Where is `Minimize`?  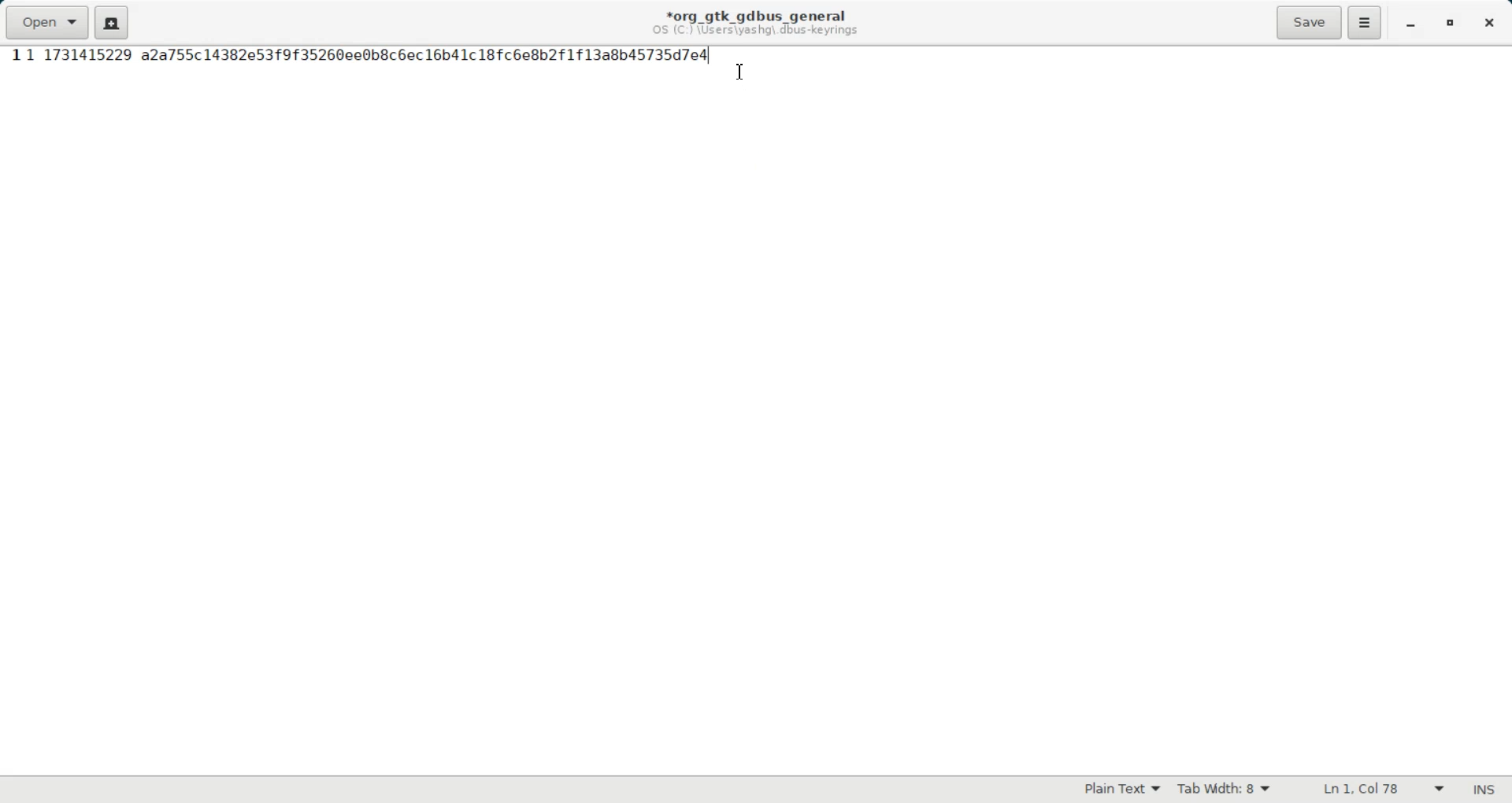 Minimize is located at coordinates (1410, 24).